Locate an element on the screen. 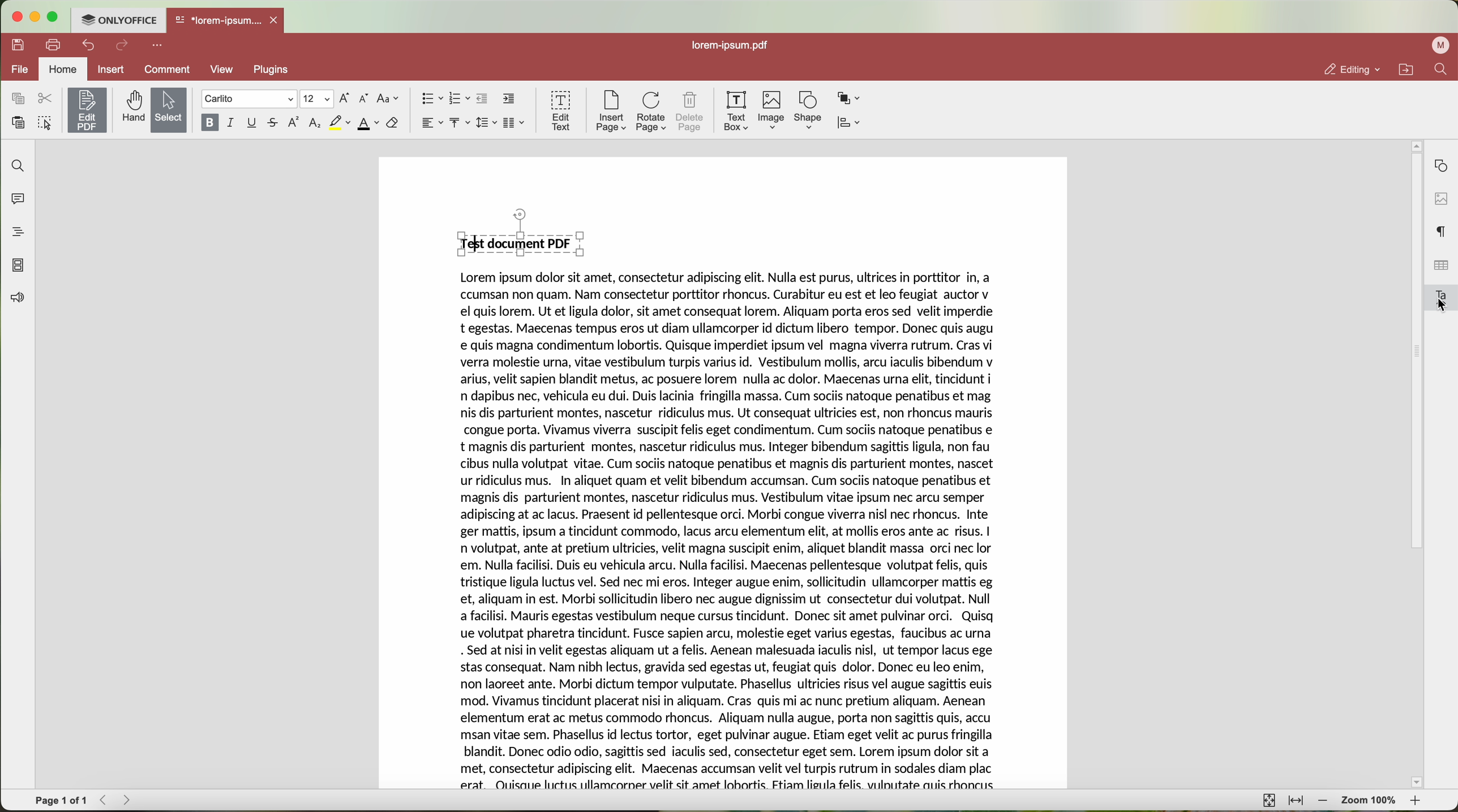 Image resolution: width=1458 pixels, height=812 pixels. image settings is located at coordinates (1440, 198).